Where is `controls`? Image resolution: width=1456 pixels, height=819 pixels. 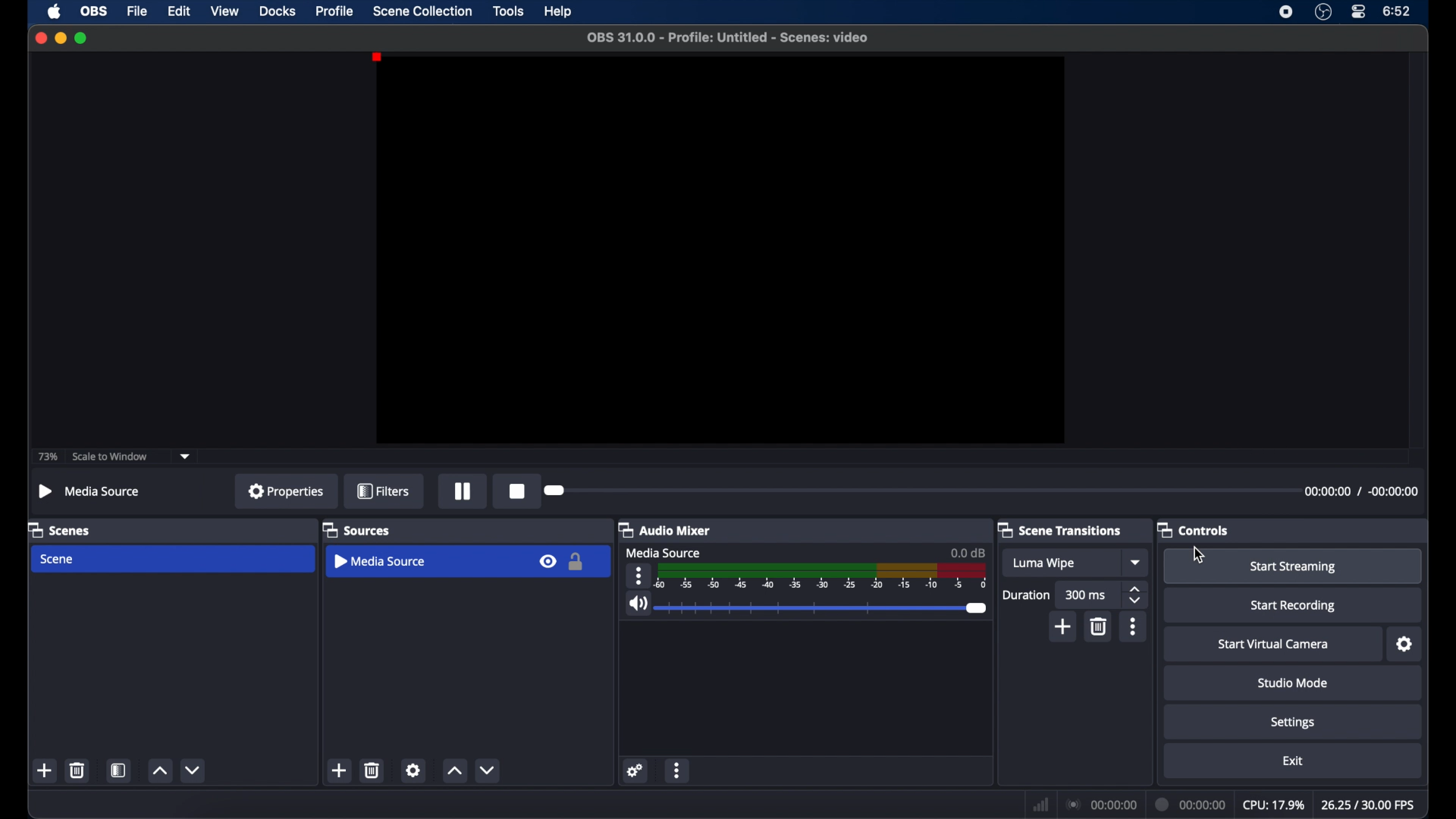 controls is located at coordinates (1194, 530).